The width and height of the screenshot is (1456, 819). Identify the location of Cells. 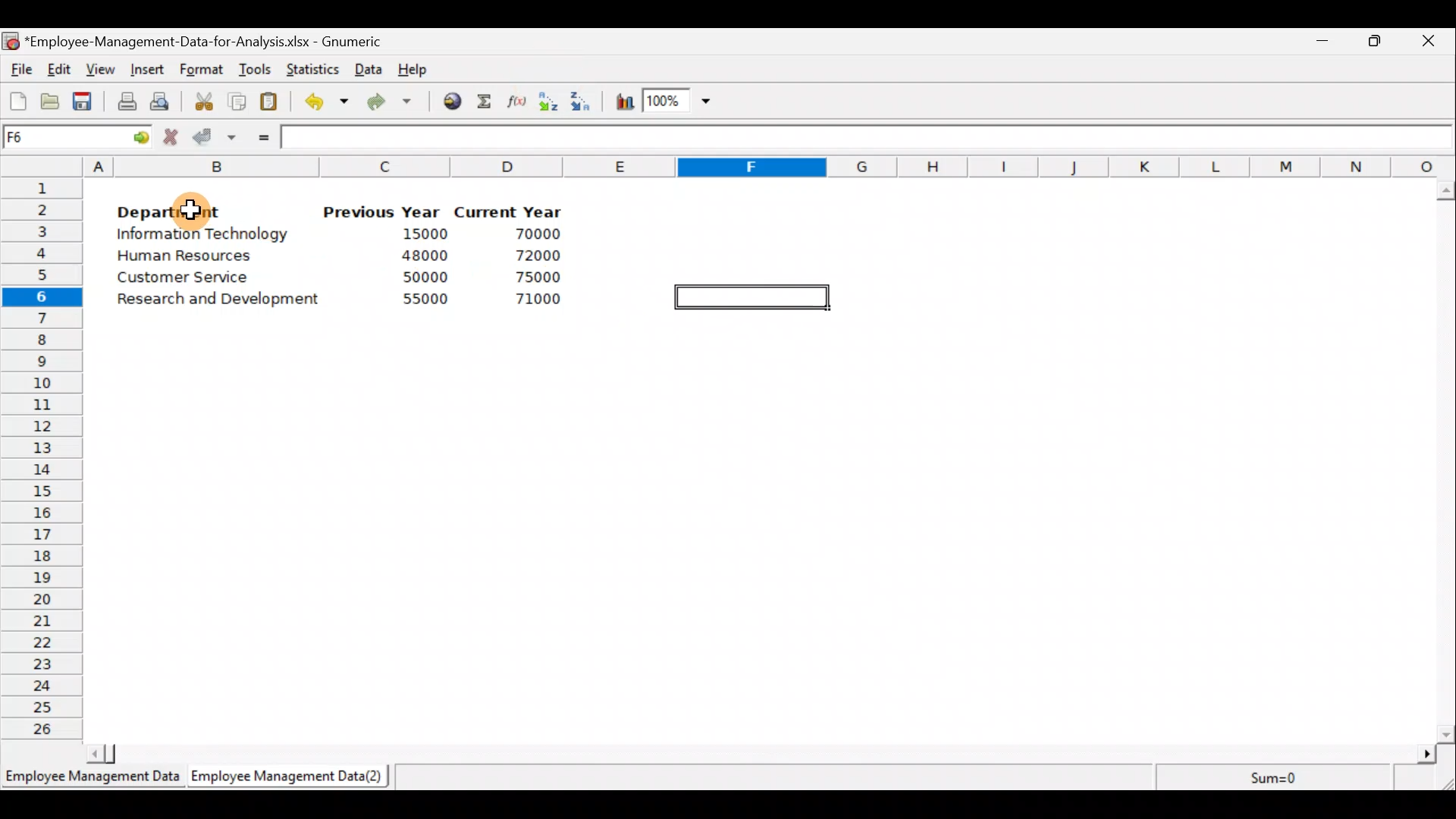
(761, 534).